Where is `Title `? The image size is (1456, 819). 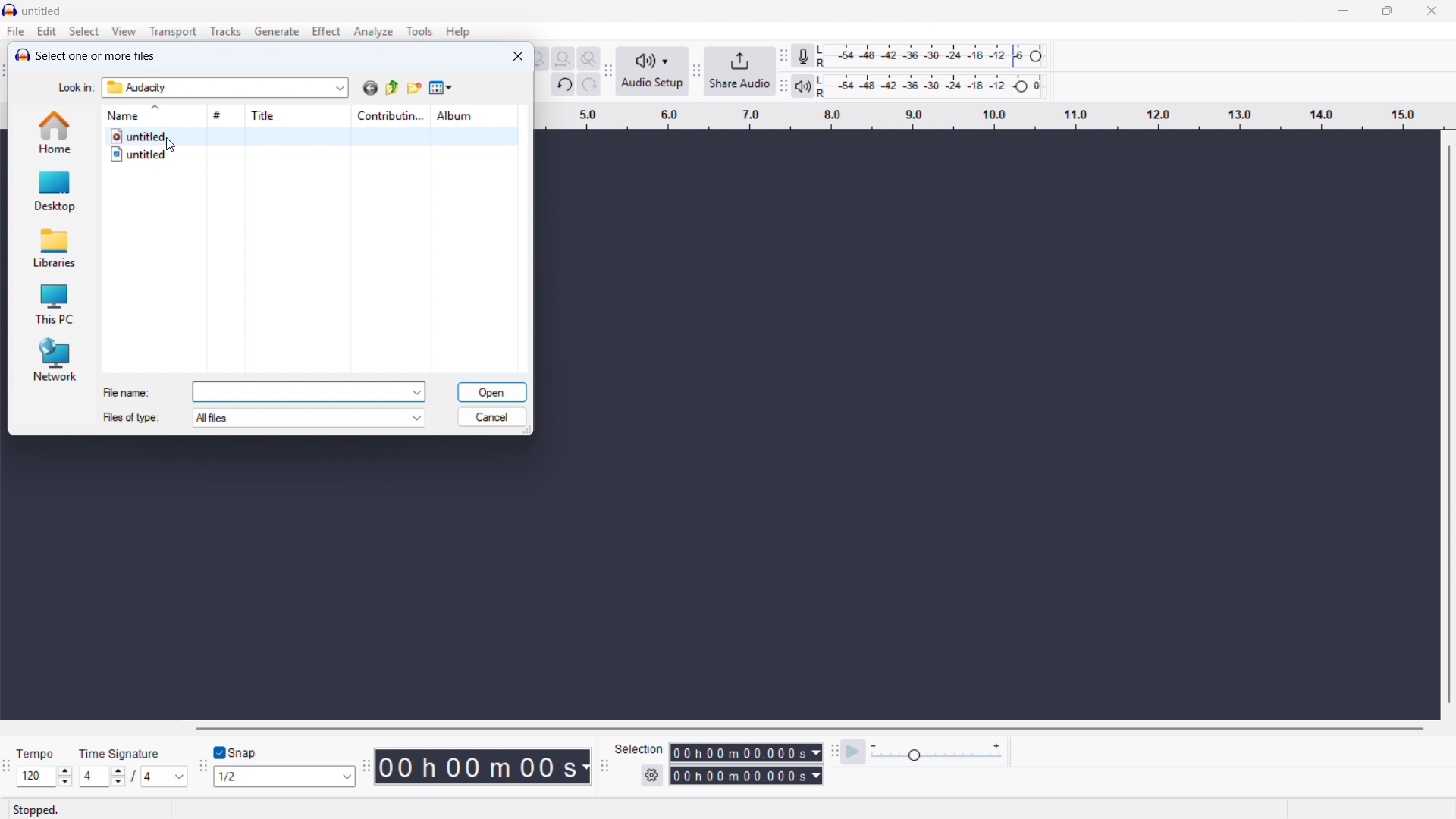
Title  is located at coordinates (300, 116).